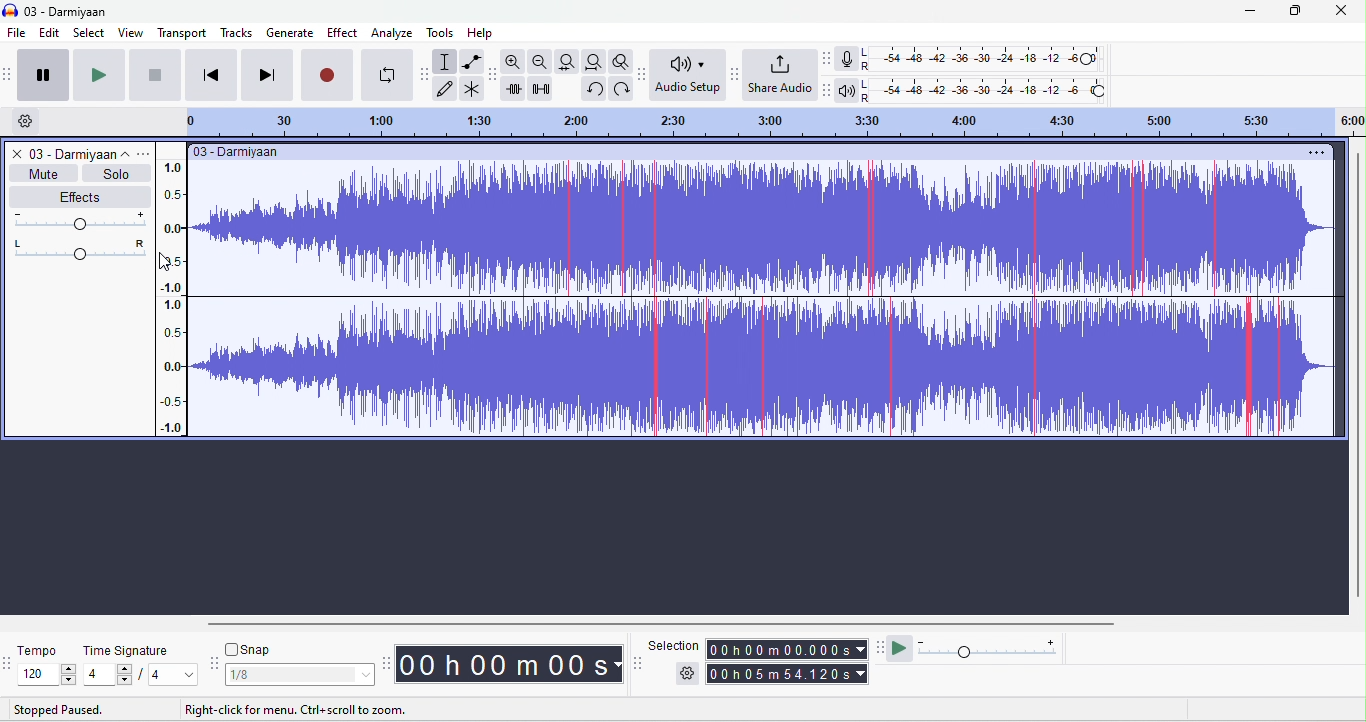 This screenshot has height=722, width=1366. Describe the element at coordinates (988, 647) in the screenshot. I see `playback speed` at that location.